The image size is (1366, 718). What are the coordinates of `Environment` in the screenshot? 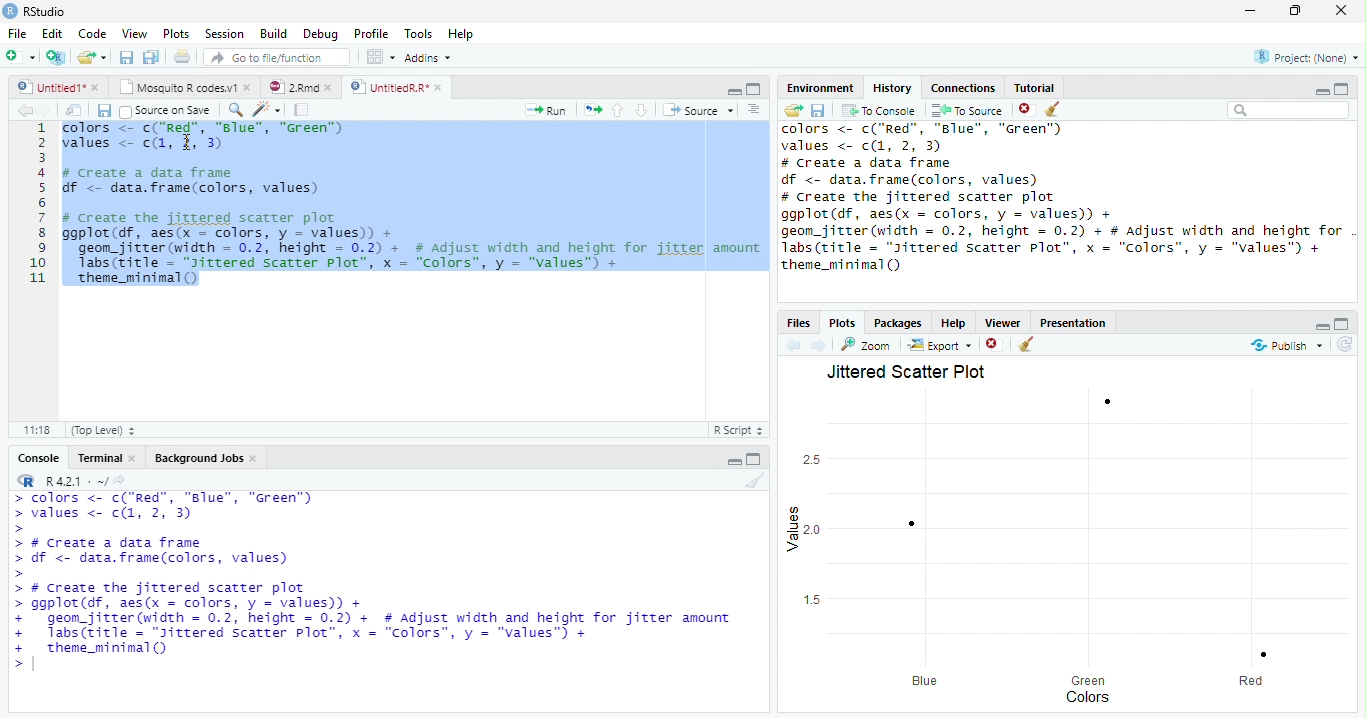 It's located at (819, 87).